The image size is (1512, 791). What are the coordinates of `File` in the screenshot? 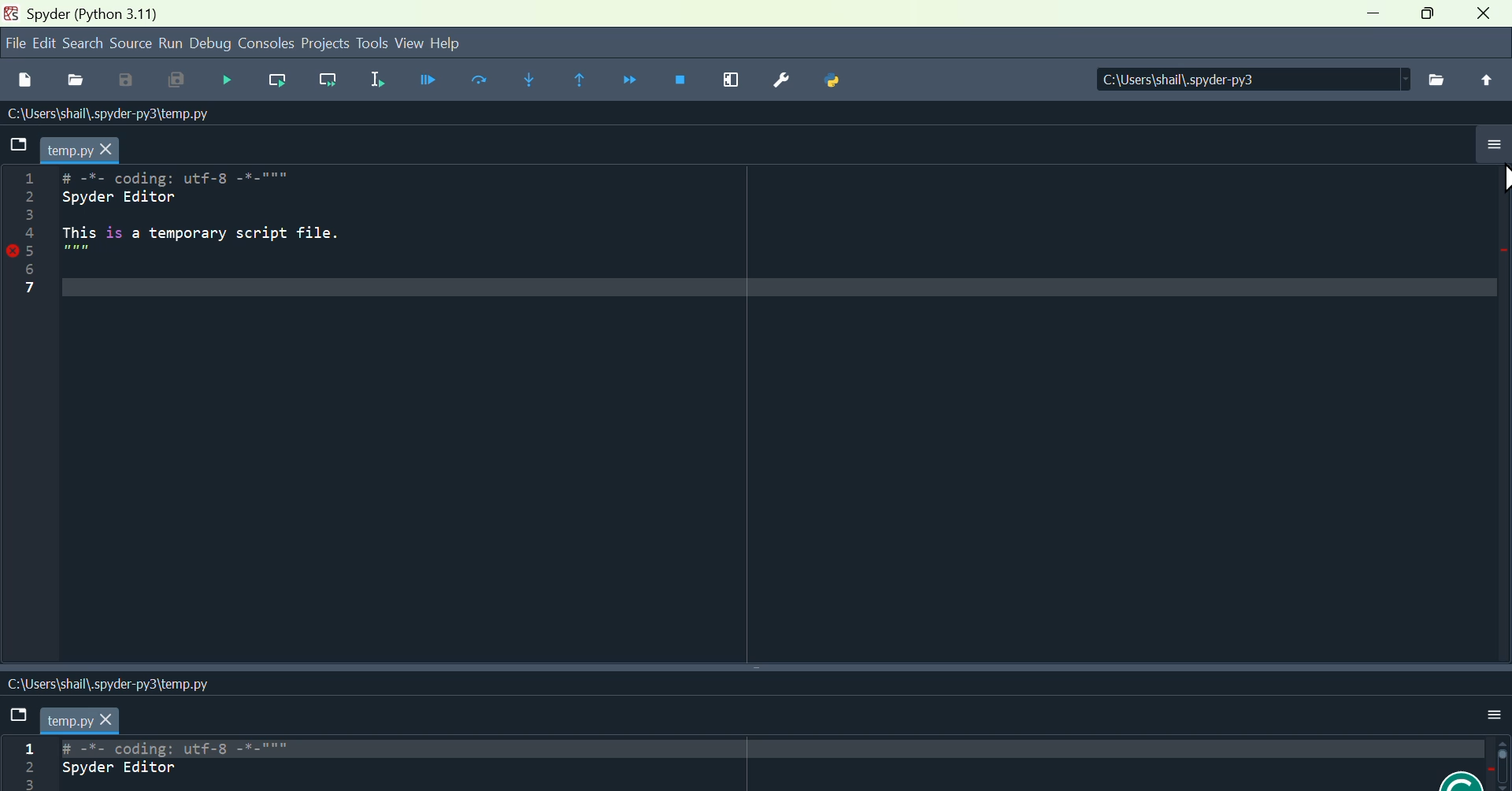 It's located at (1437, 80).